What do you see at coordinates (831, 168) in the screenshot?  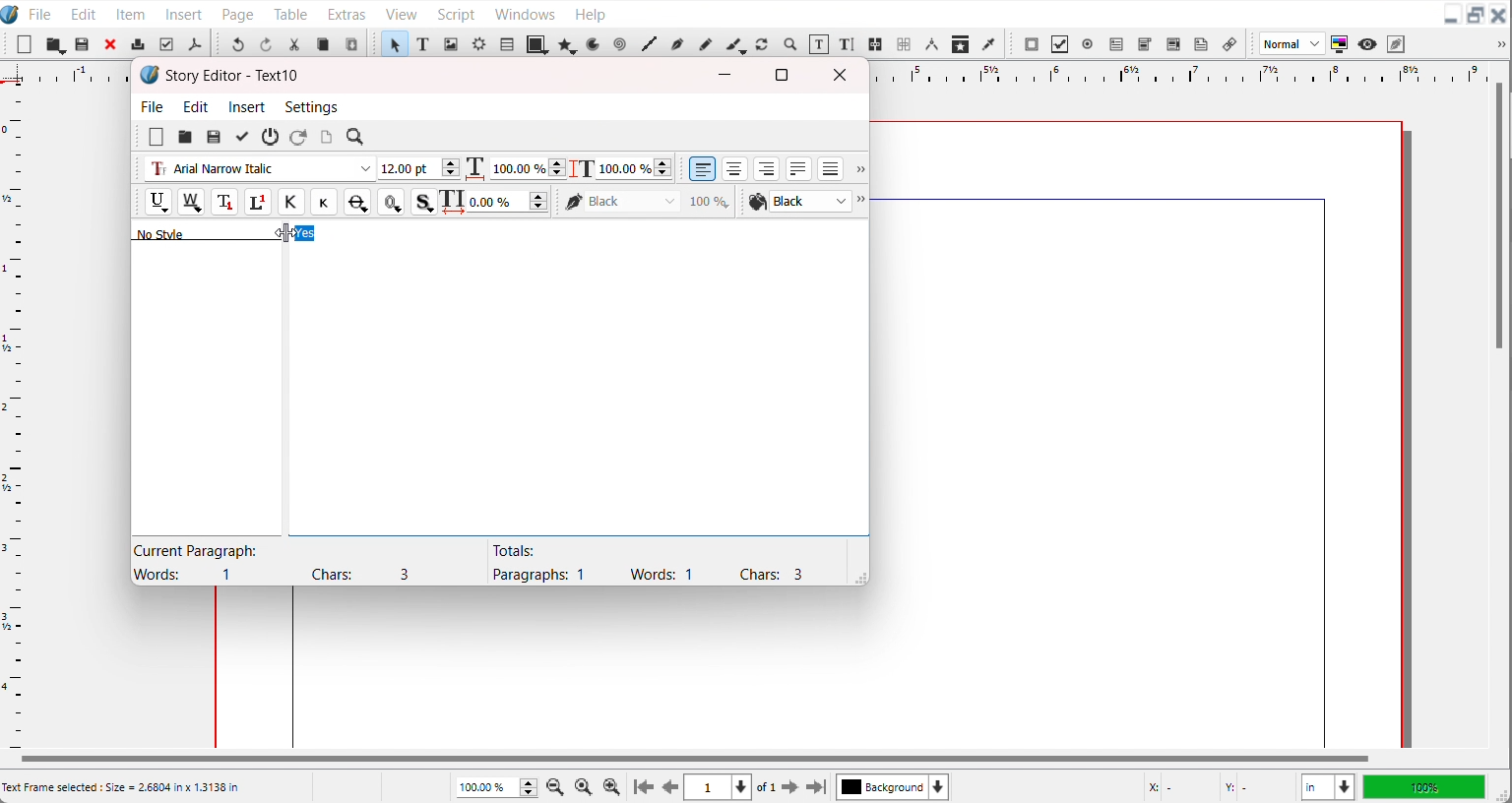 I see `Align text forced Justified` at bounding box center [831, 168].